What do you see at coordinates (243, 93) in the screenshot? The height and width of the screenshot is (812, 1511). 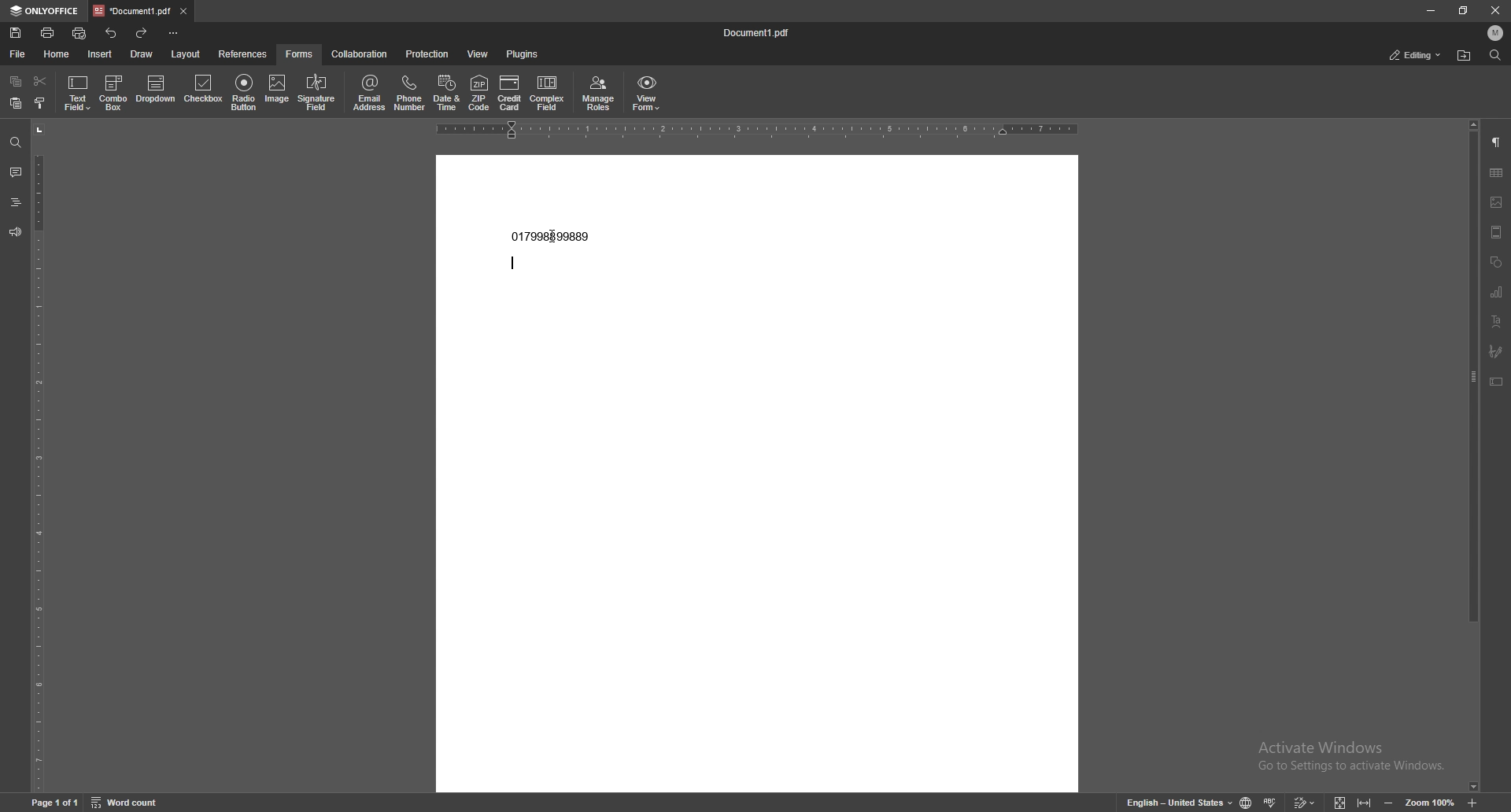 I see `radio button` at bounding box center [243, 93].